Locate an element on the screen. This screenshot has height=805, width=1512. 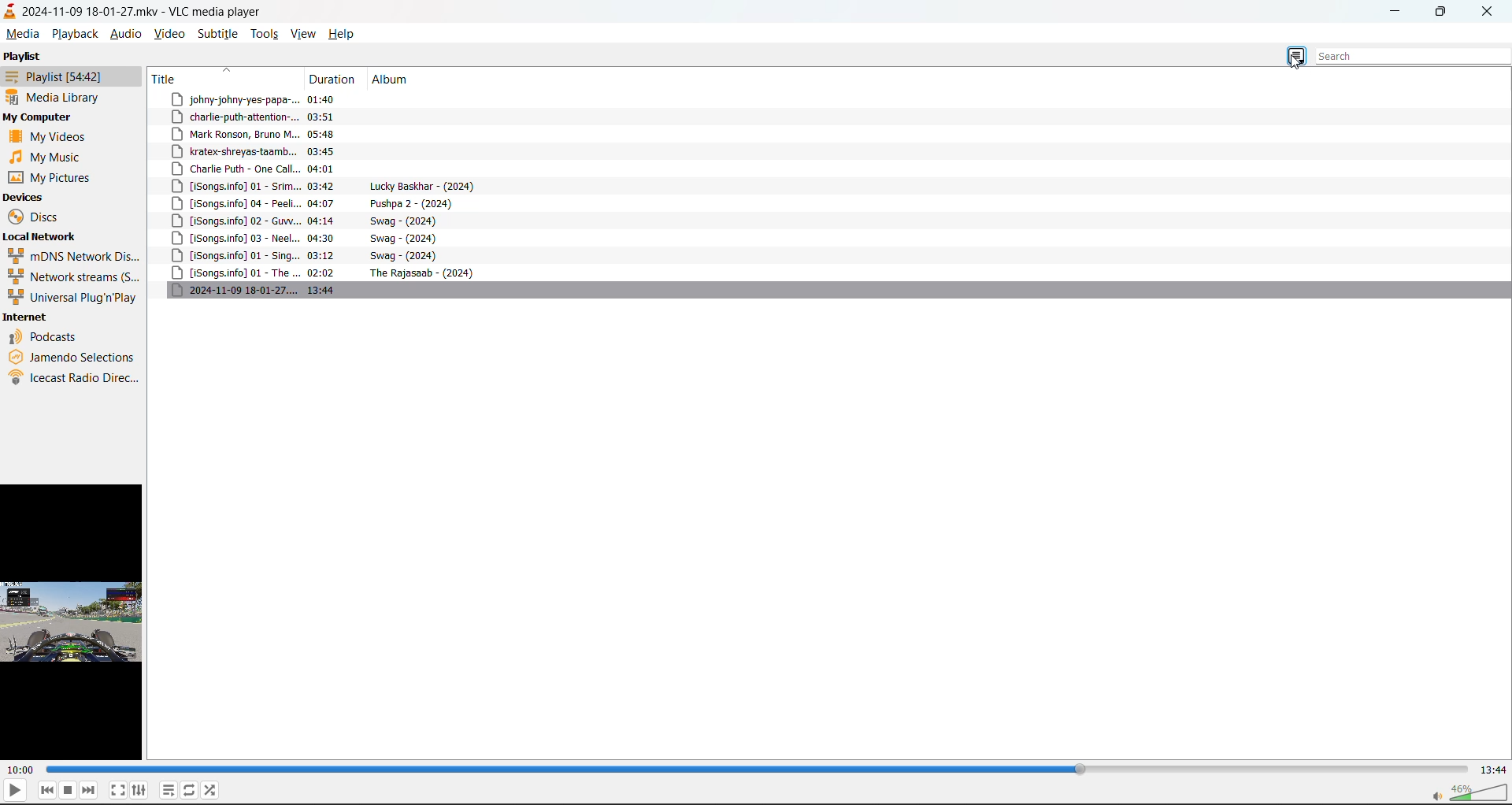
tools is located at coordinates (268, 33).